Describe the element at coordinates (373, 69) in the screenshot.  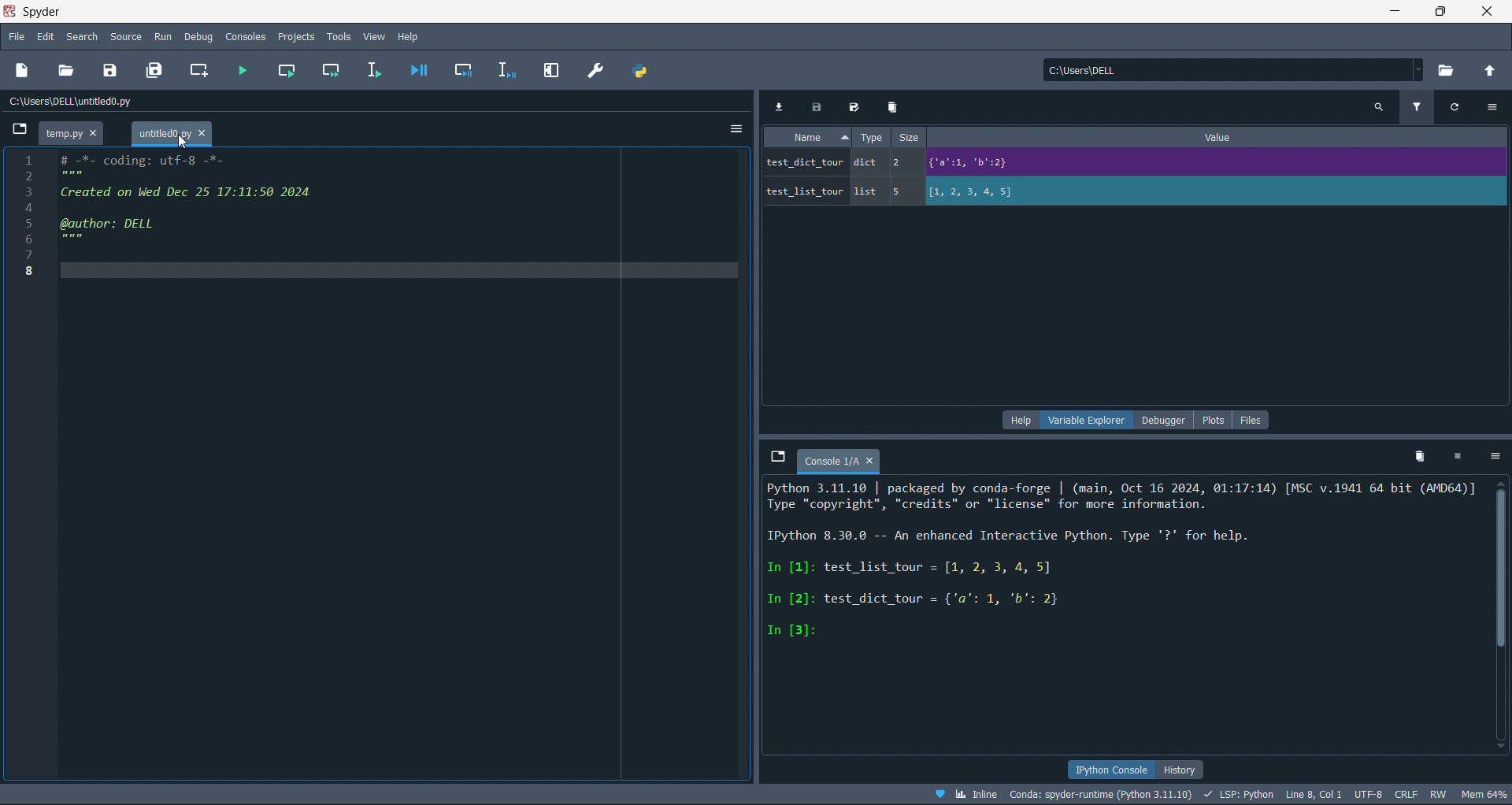
I see `run line` at that location.